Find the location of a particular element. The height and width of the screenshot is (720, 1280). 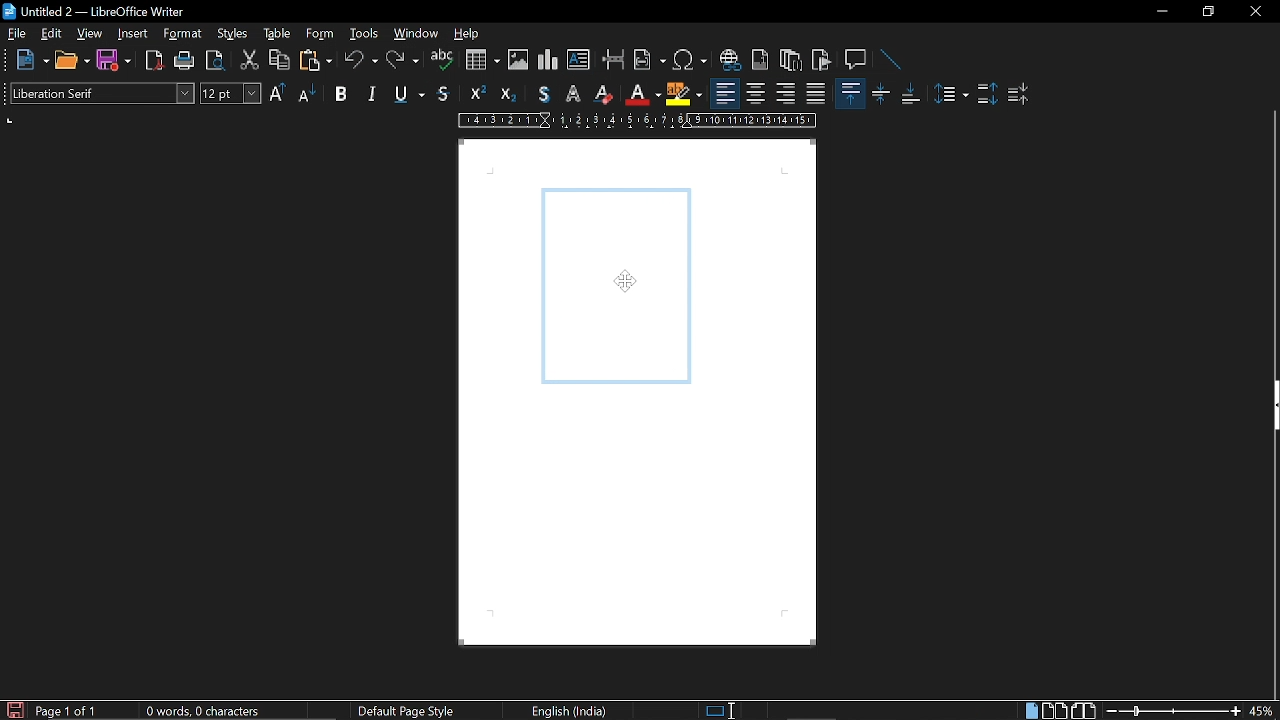

insert is located at coordinates (133, 34).